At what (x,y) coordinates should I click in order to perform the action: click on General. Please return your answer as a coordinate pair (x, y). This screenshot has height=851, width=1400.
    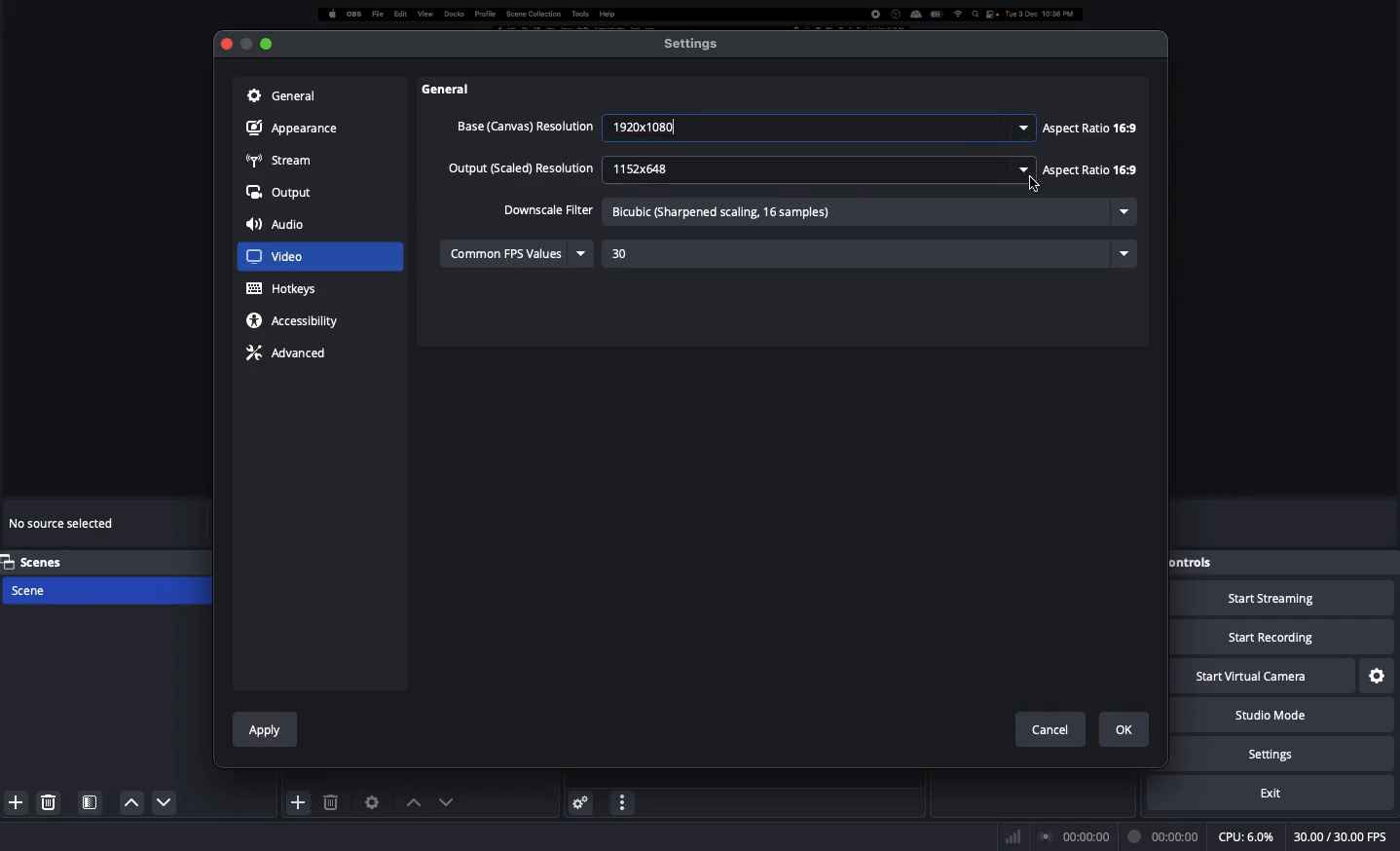
    Looking at the image, I should click on (279, 94).